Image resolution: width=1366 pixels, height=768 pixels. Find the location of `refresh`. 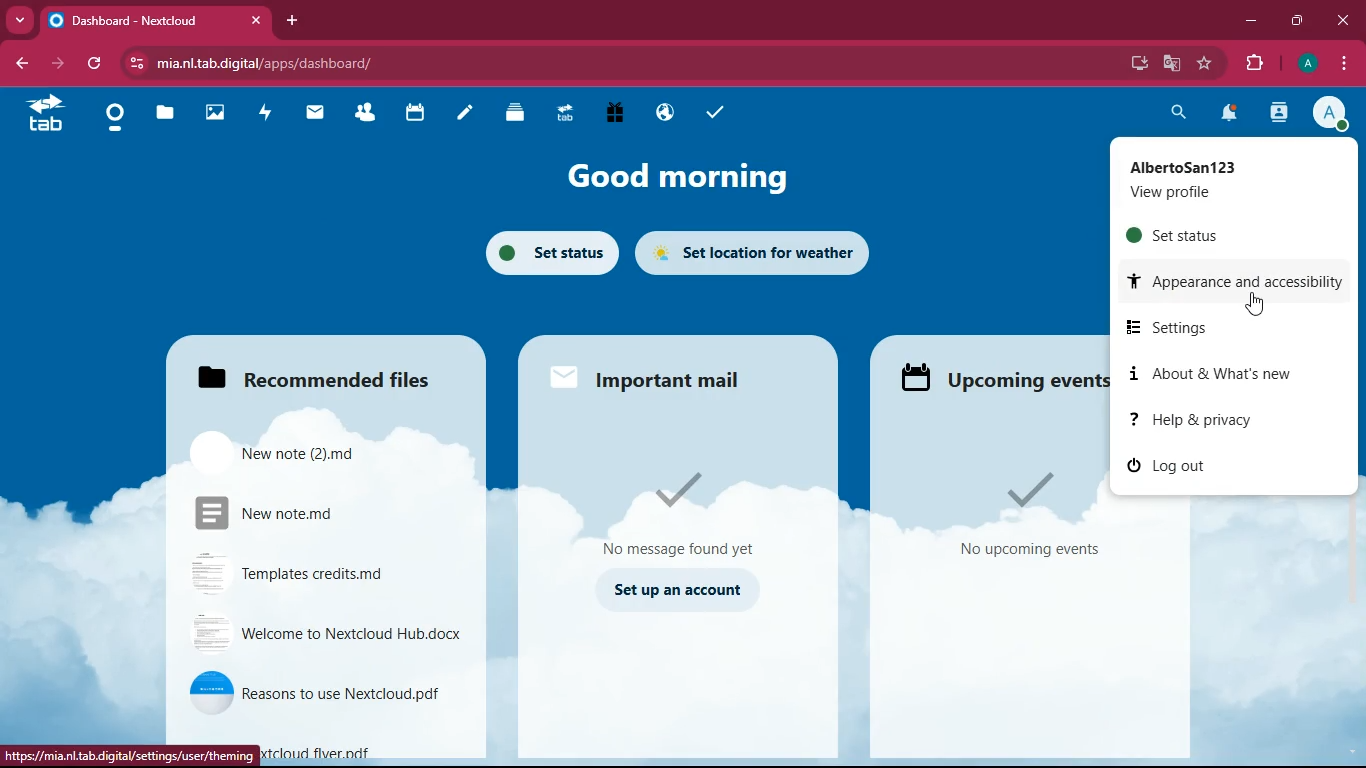

refresh is located at coordinates (98, 63).